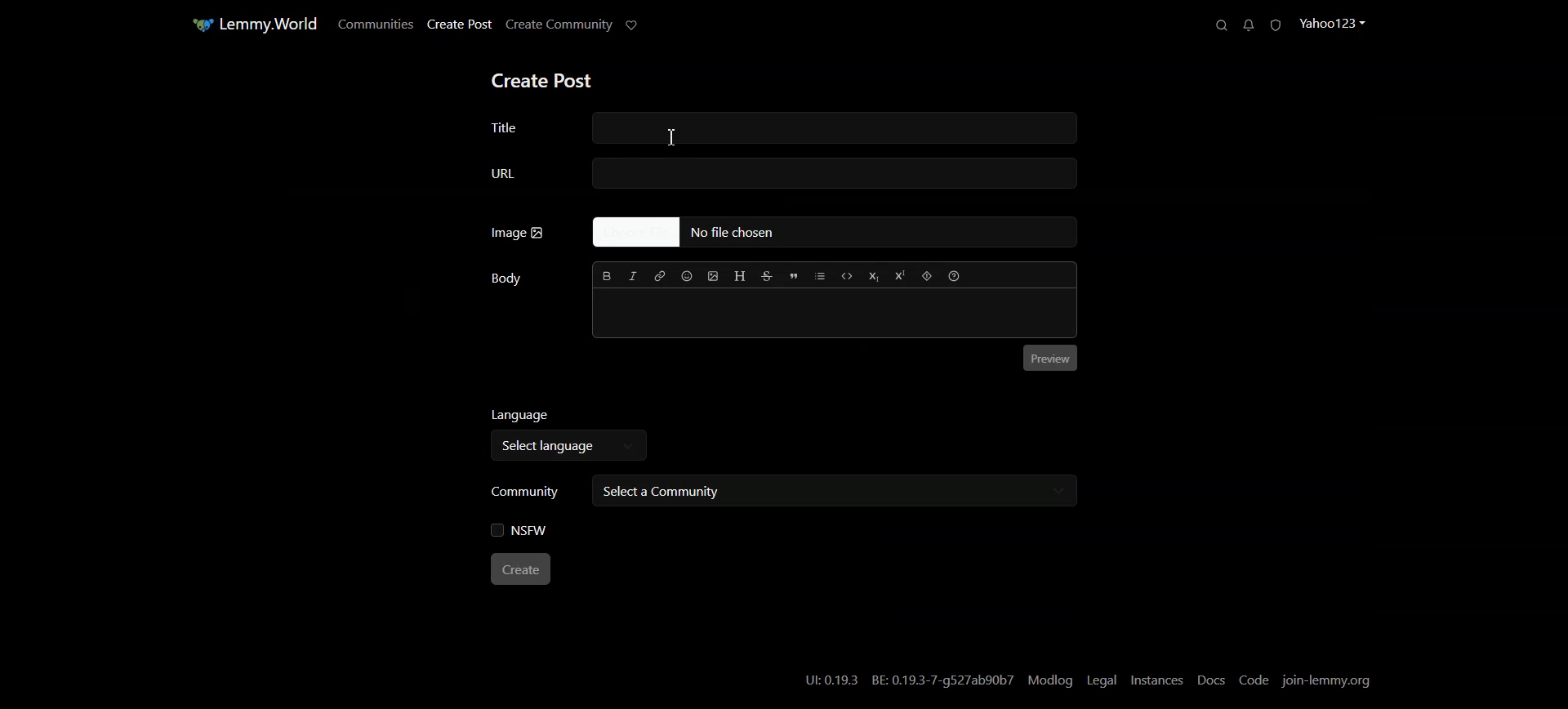 The image size is (1568, 709). What do you see at coordinates (835, 314) in the screenshot?
I see `Typing window` at bounding box center [835, 314].